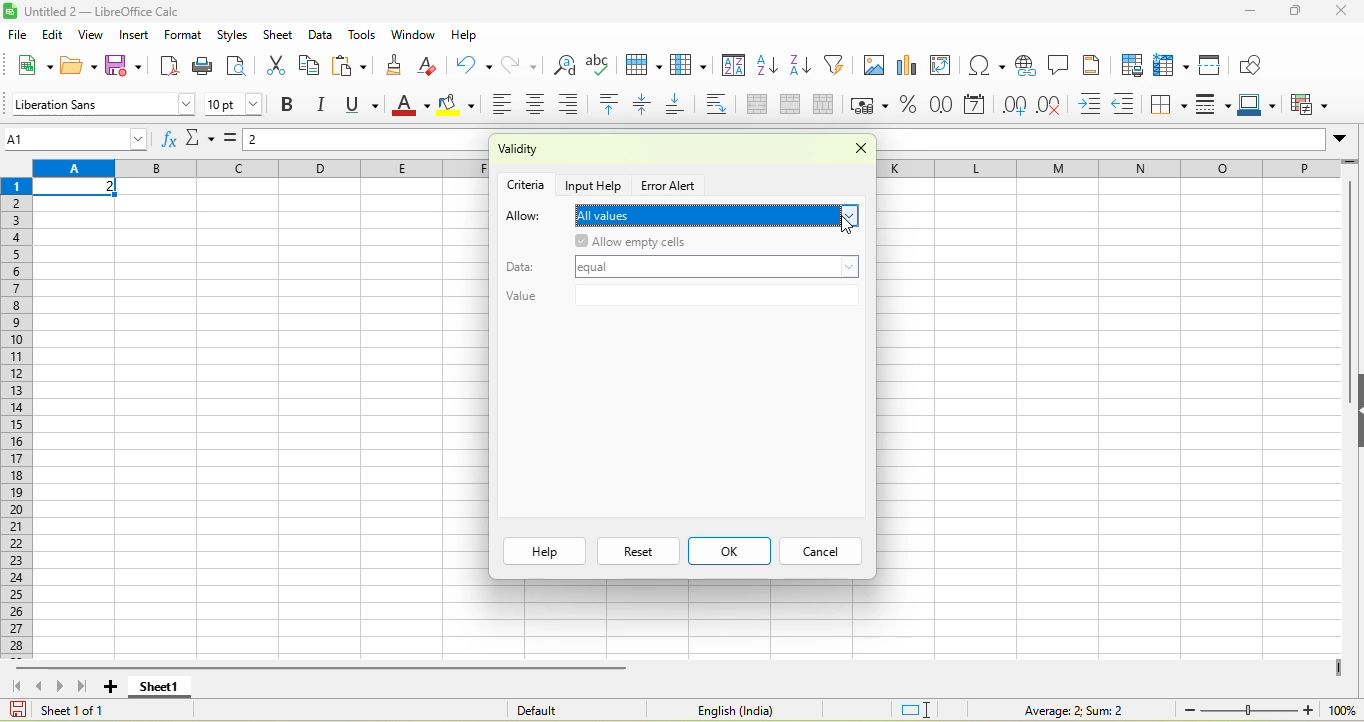 The height and width of the screenshot is (722, 1364). I want to click on value, so click(680, 298).